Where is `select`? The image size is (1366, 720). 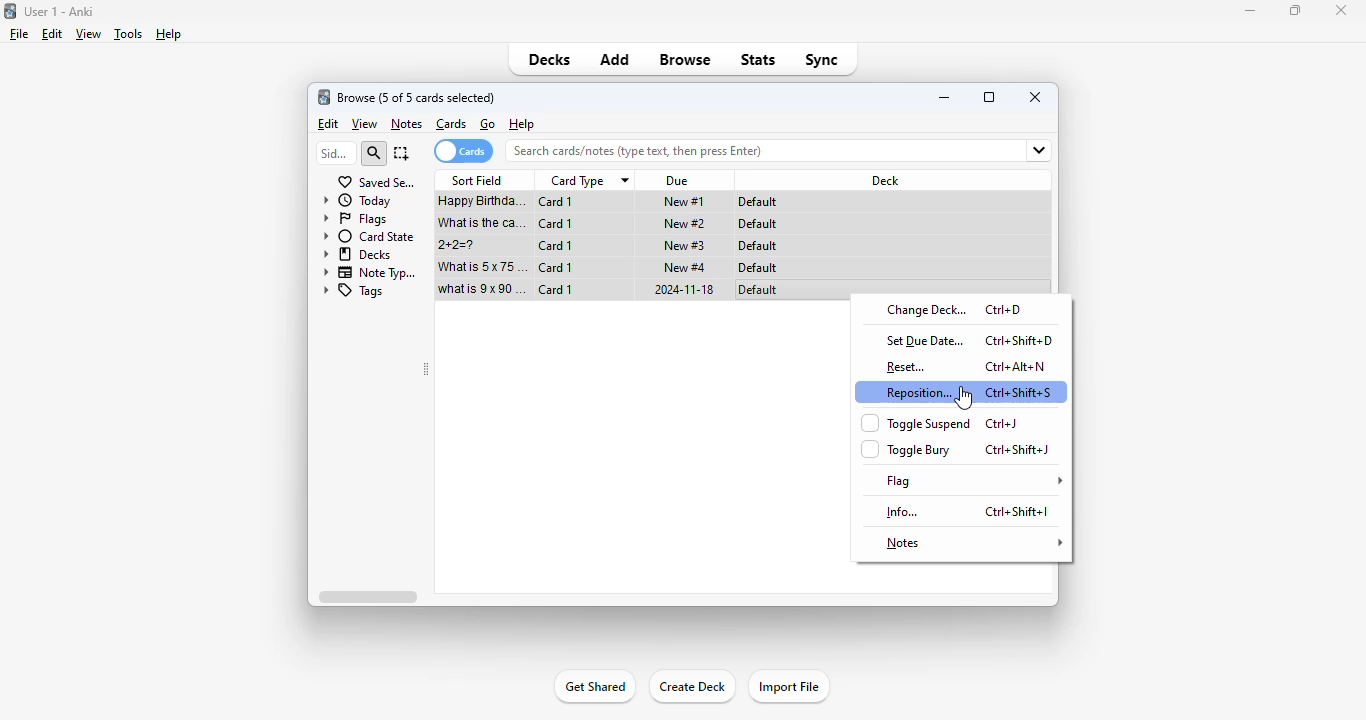
select is located at coordinates (402, 153).